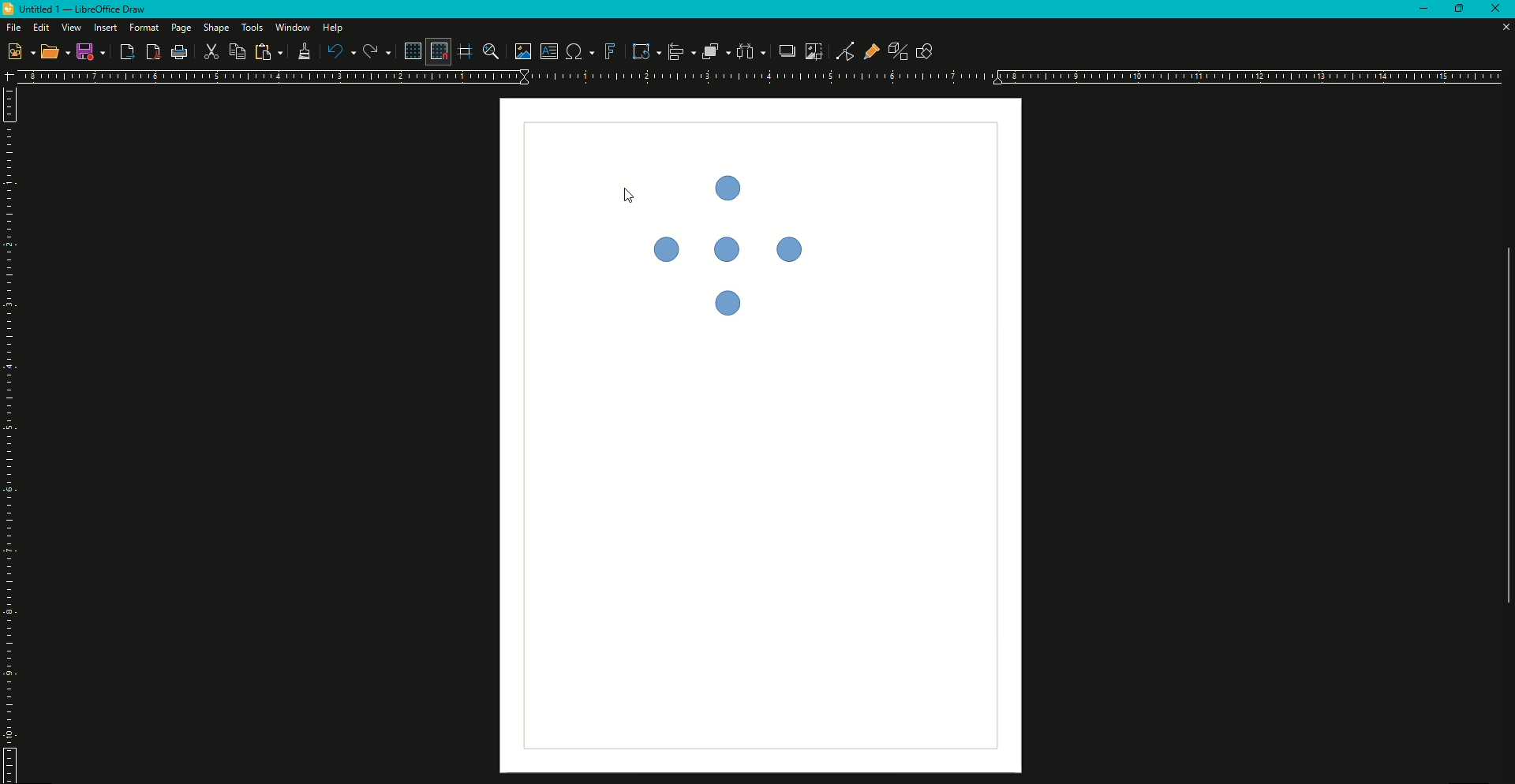 This screenshot has height=784, width=1515. Describe the element at coordinates (141, 28) in the screenshot. I see `Format` at that location.